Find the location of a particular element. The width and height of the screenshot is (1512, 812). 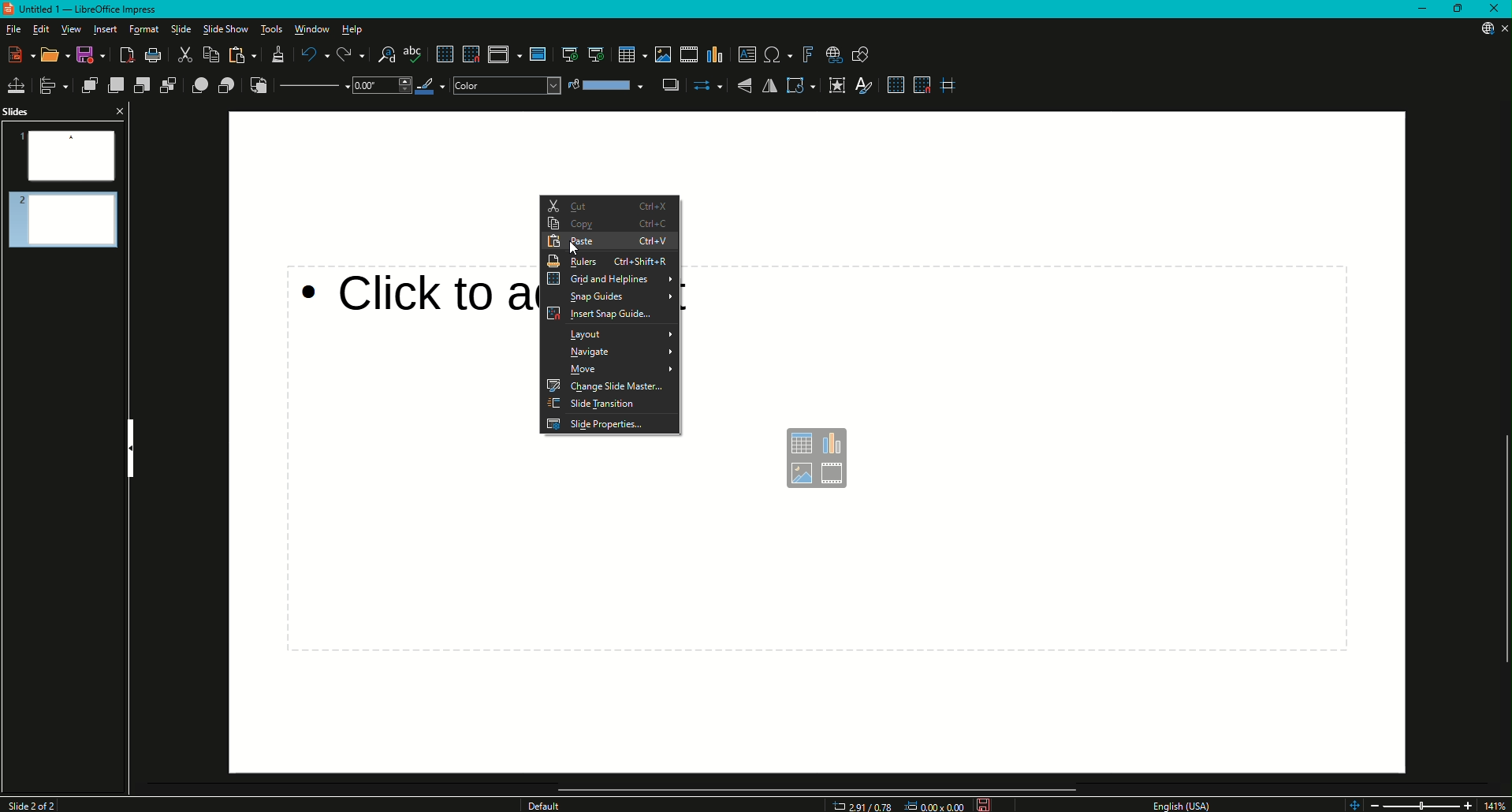

Move is located at coordinates (611, 369).